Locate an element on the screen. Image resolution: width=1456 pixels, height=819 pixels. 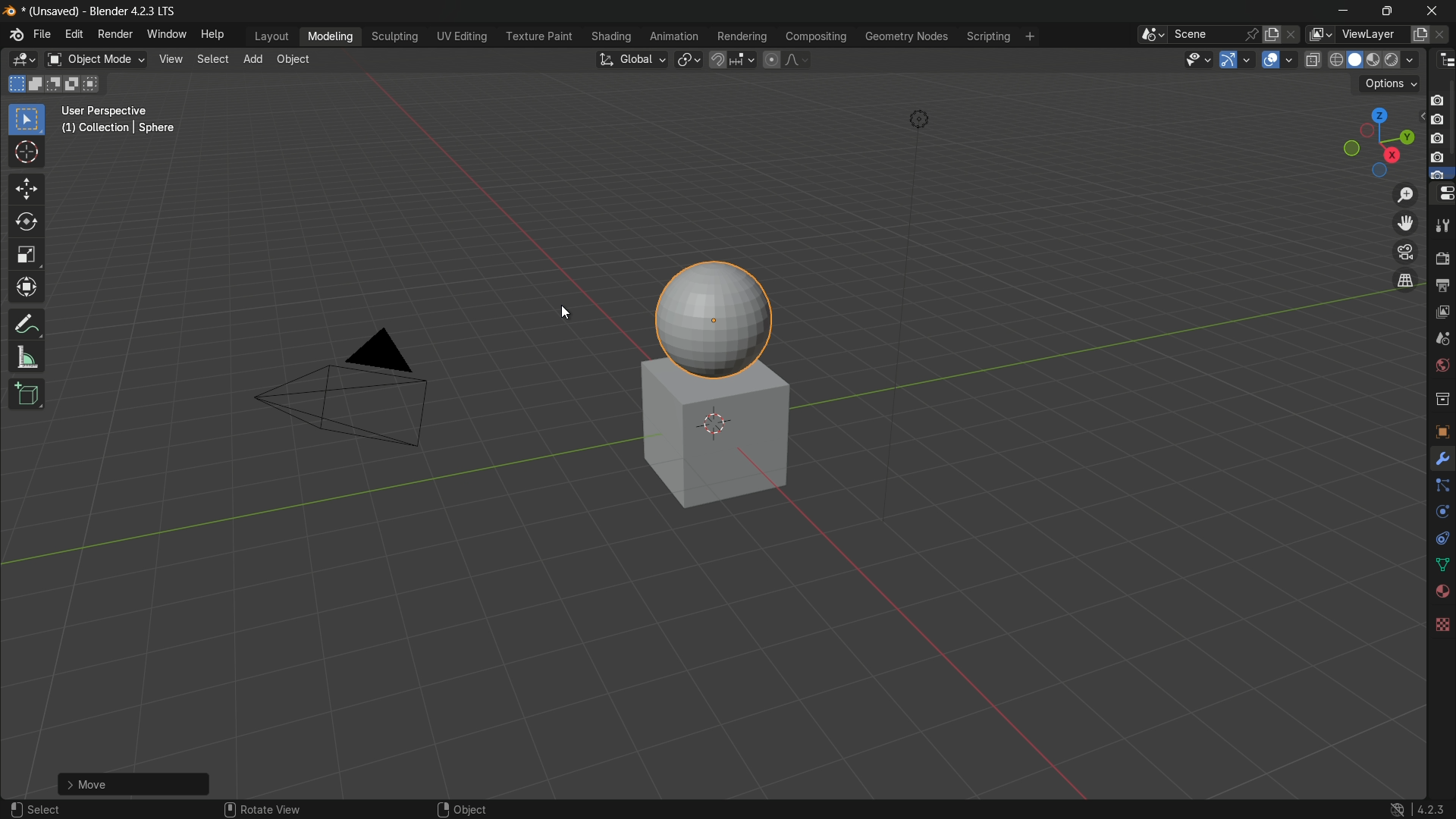
view layer is located at coordinates (1443, 312).